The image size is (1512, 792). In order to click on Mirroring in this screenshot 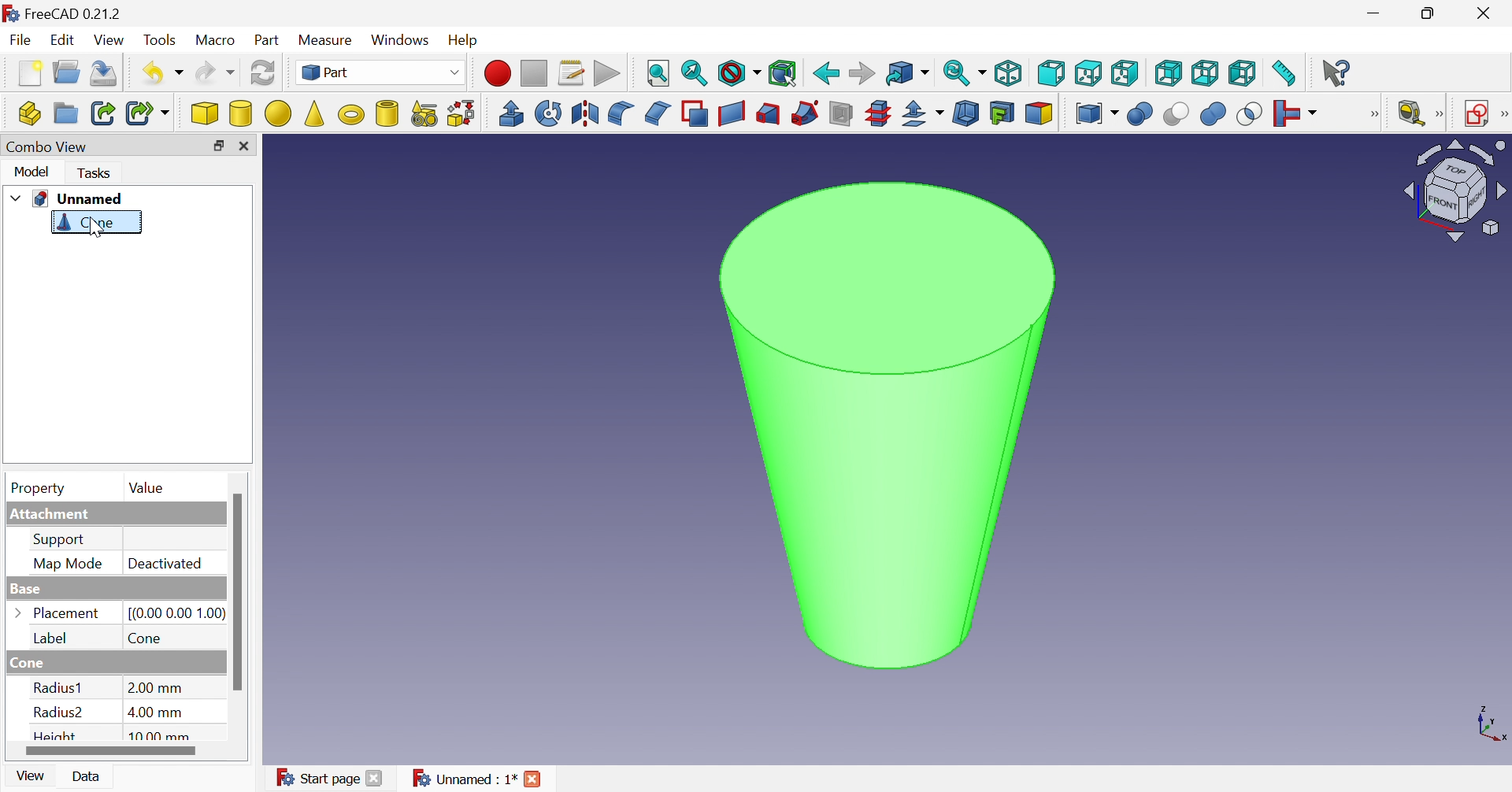, I will do `click(585, 114)`.